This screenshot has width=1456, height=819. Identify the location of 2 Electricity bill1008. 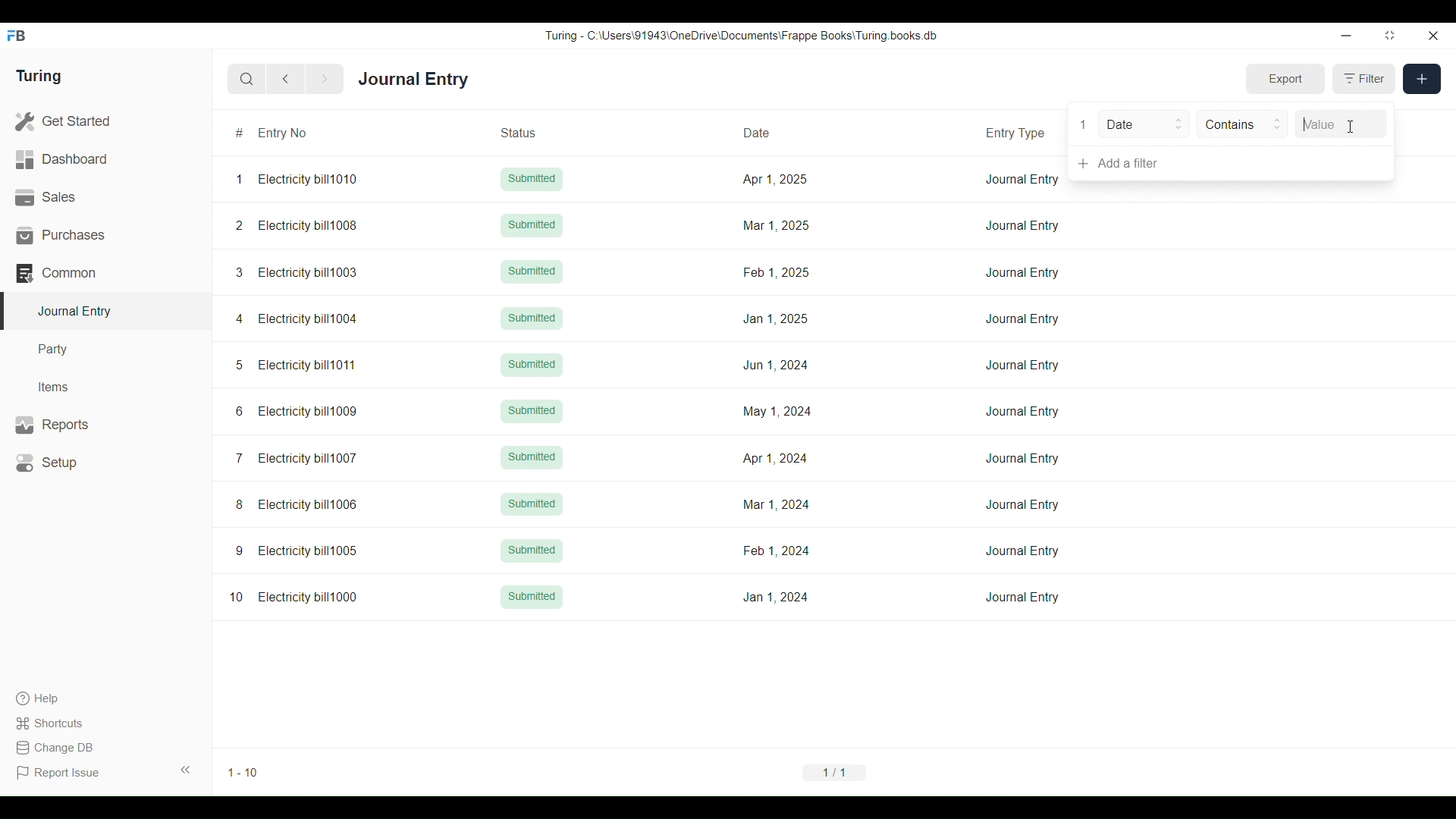
(297, 225).